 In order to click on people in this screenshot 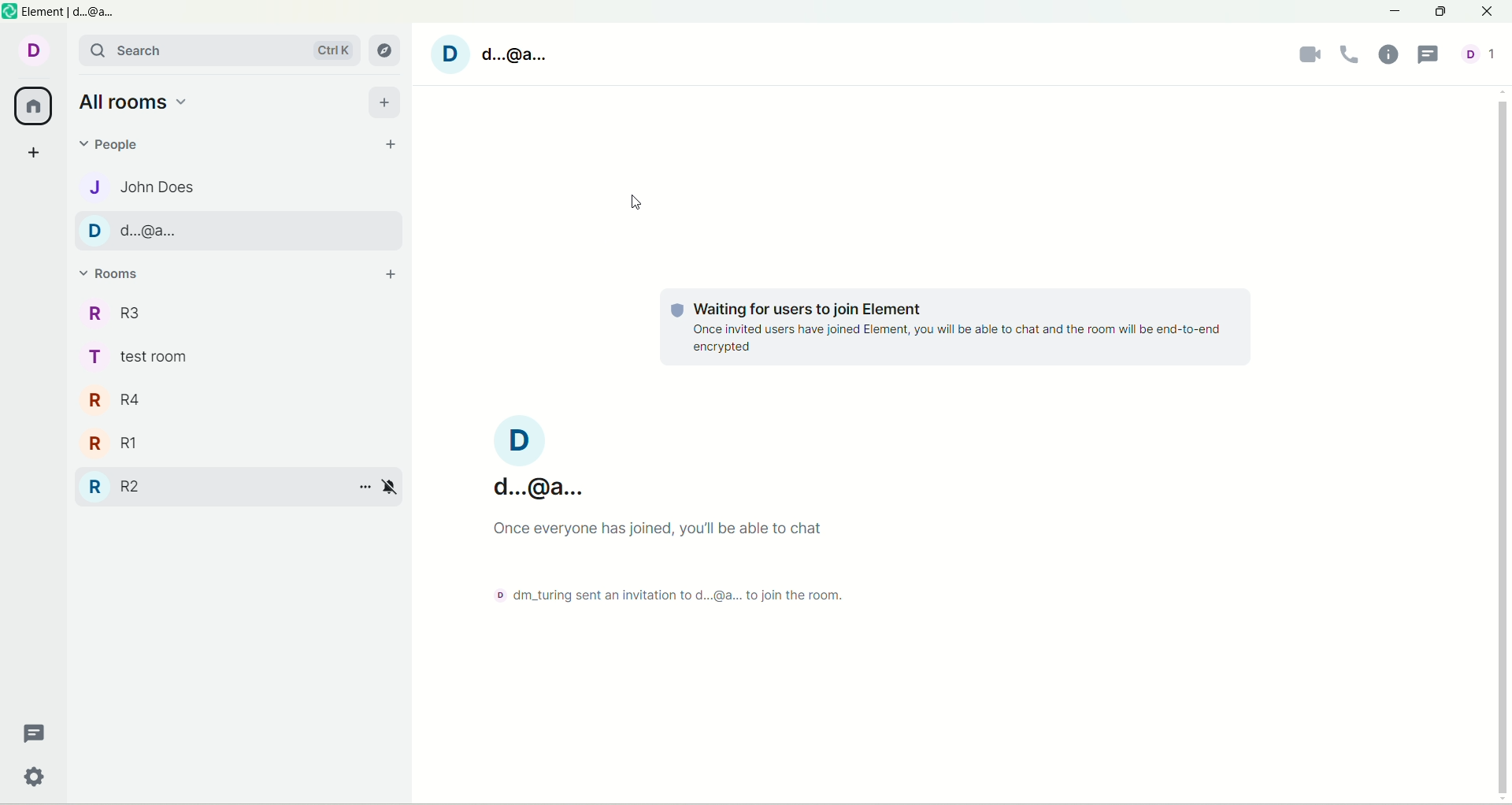, I will do `click(1484, 54)`.